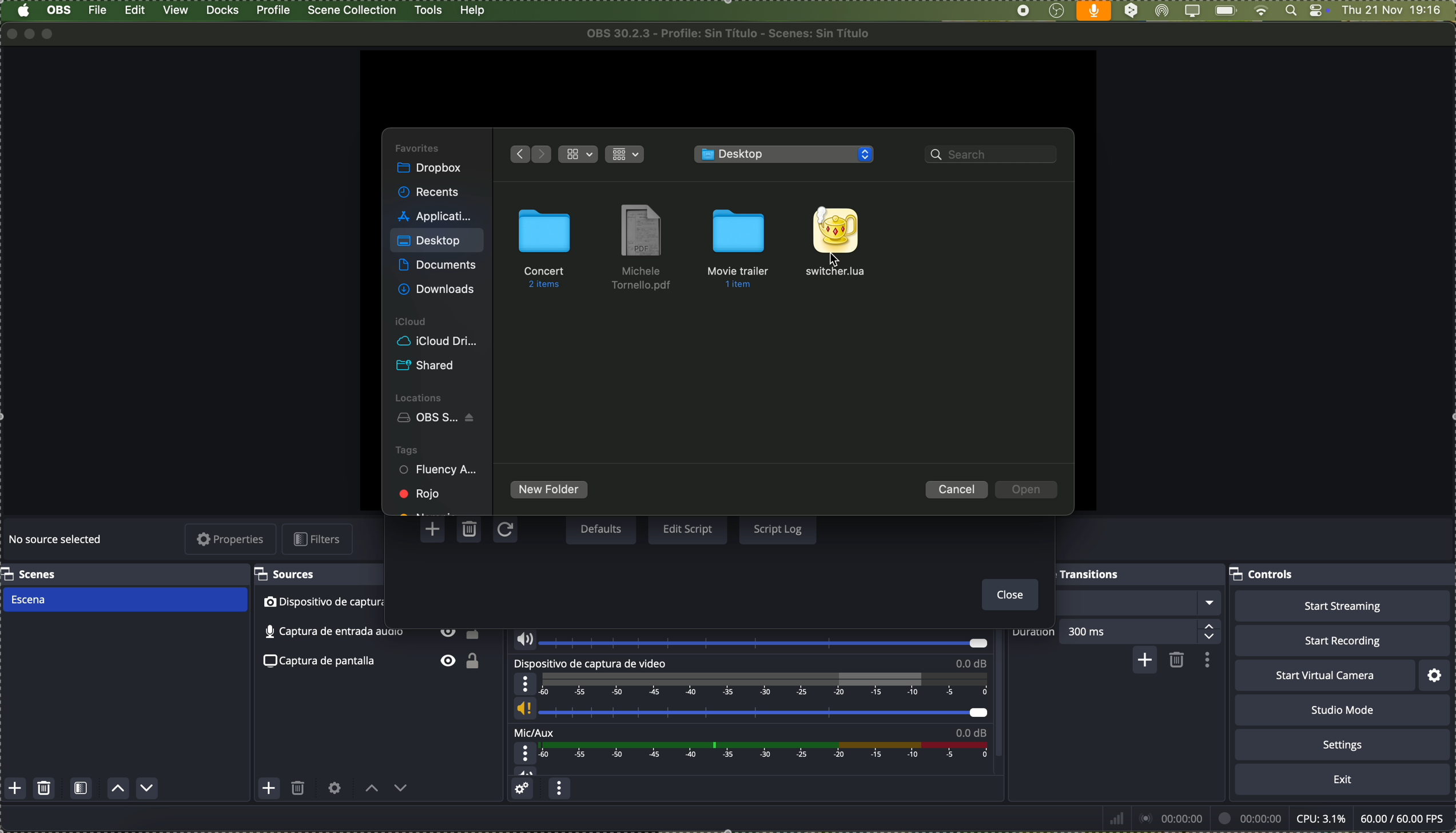  Describe the element at coordinates (30, 33) in the screenshot. I see `minimize program` at that location.